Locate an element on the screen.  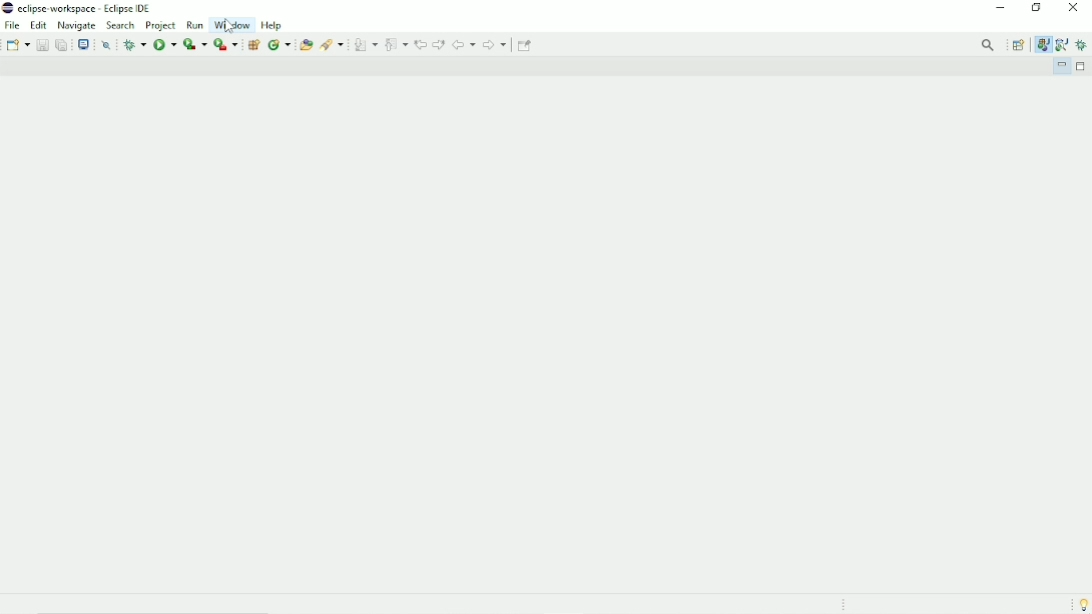
New is located at coordinates (18, 44).